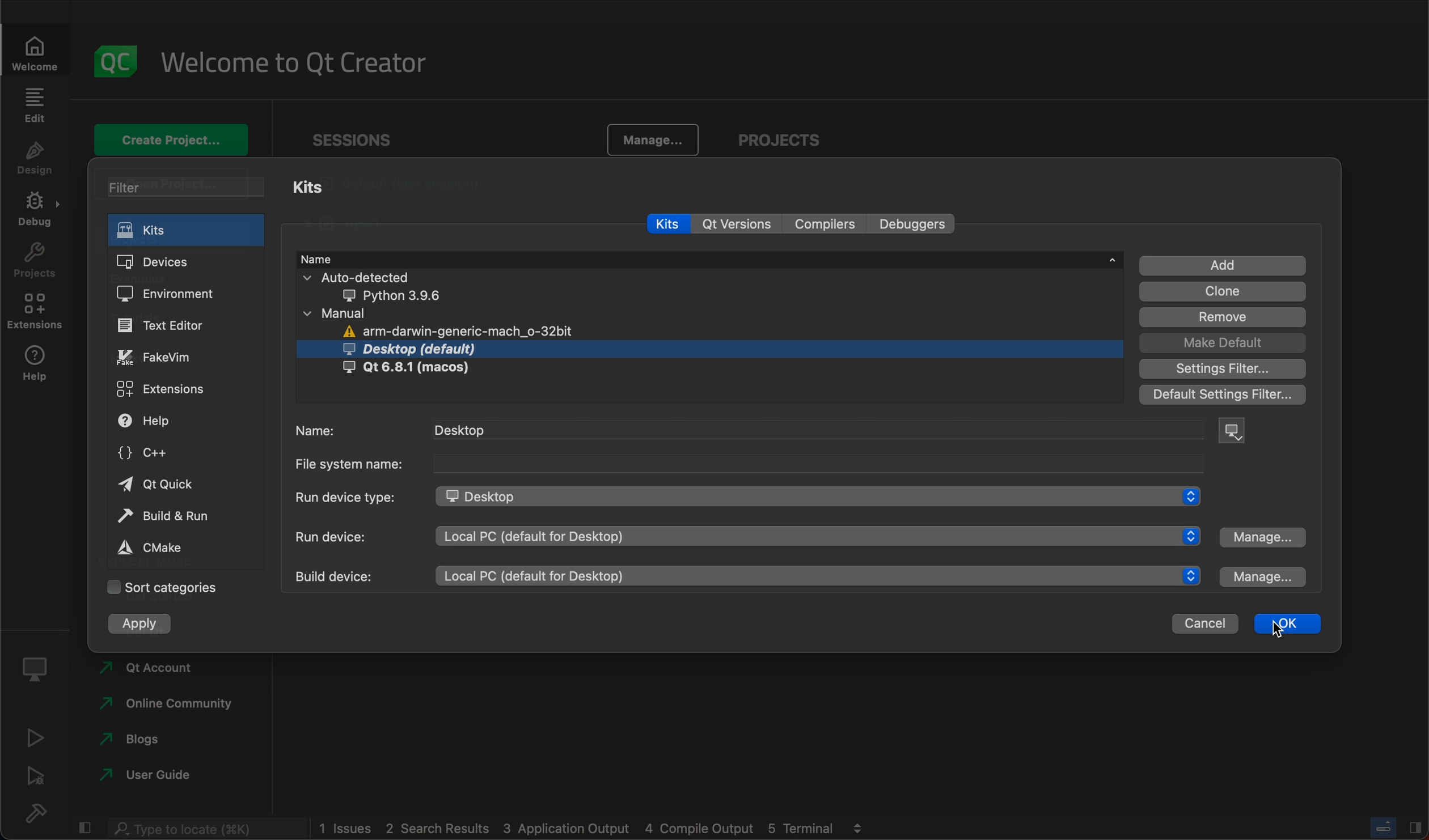 The image size is (1429, 840). I want to click on blogs, so click(134, 739).